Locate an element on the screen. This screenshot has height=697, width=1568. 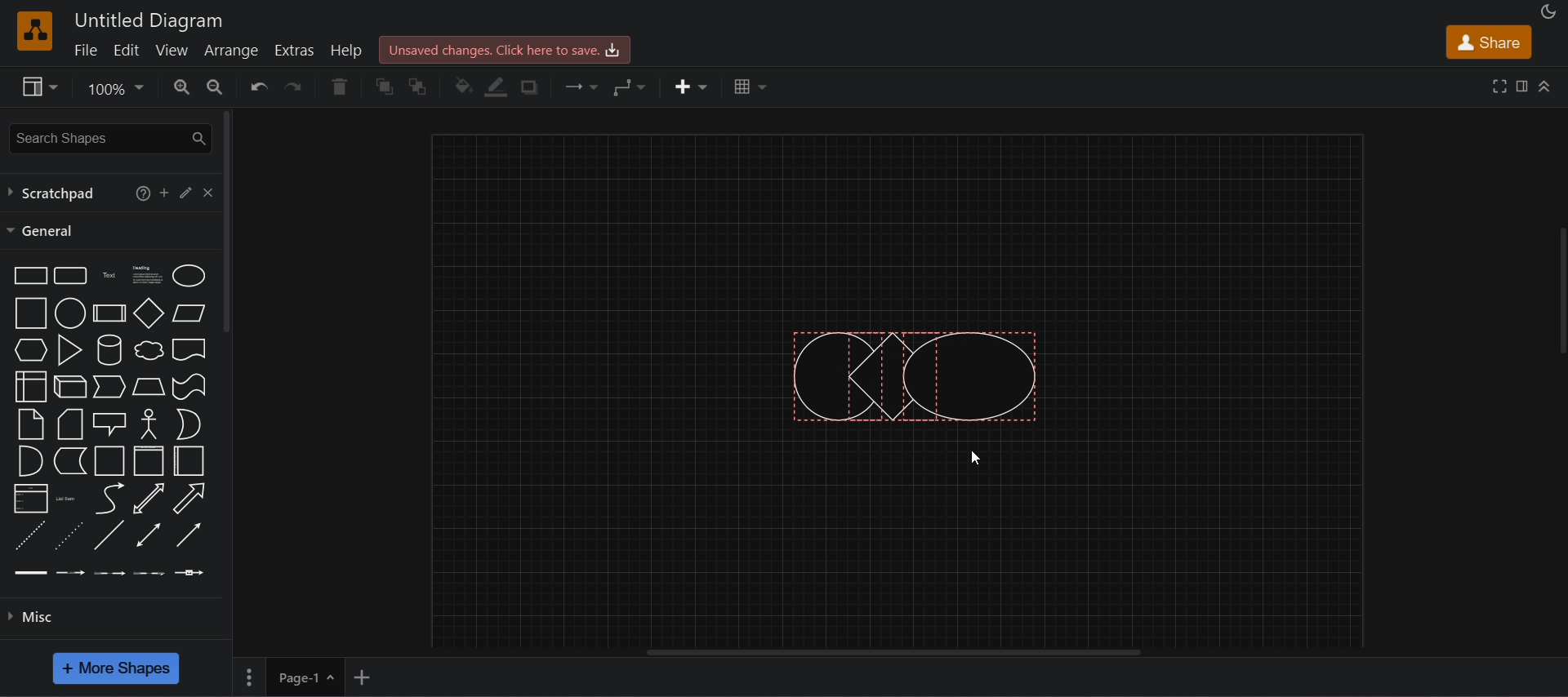
redo is located at coordinates (297, 87).